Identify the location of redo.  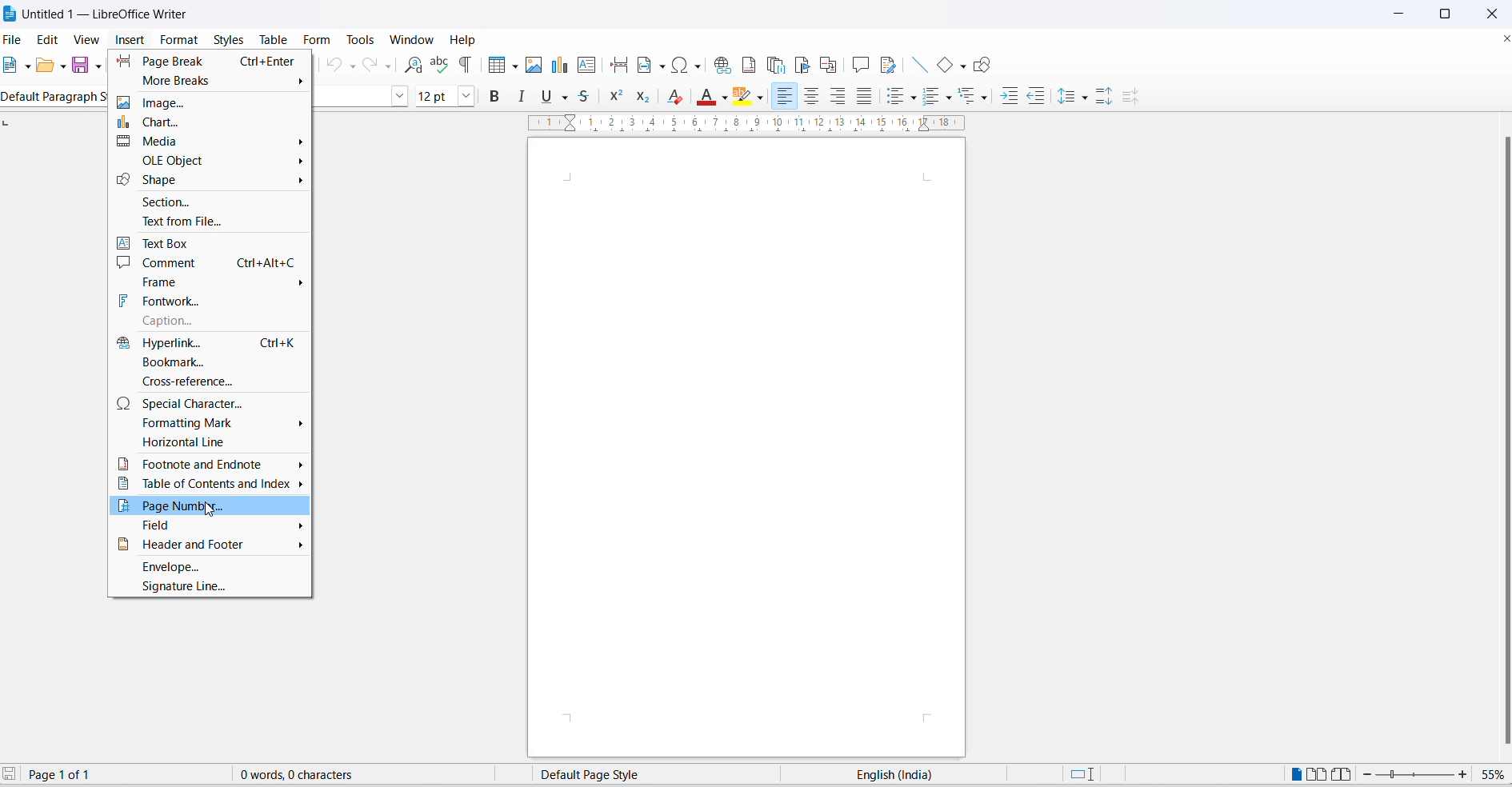
(369, 67).